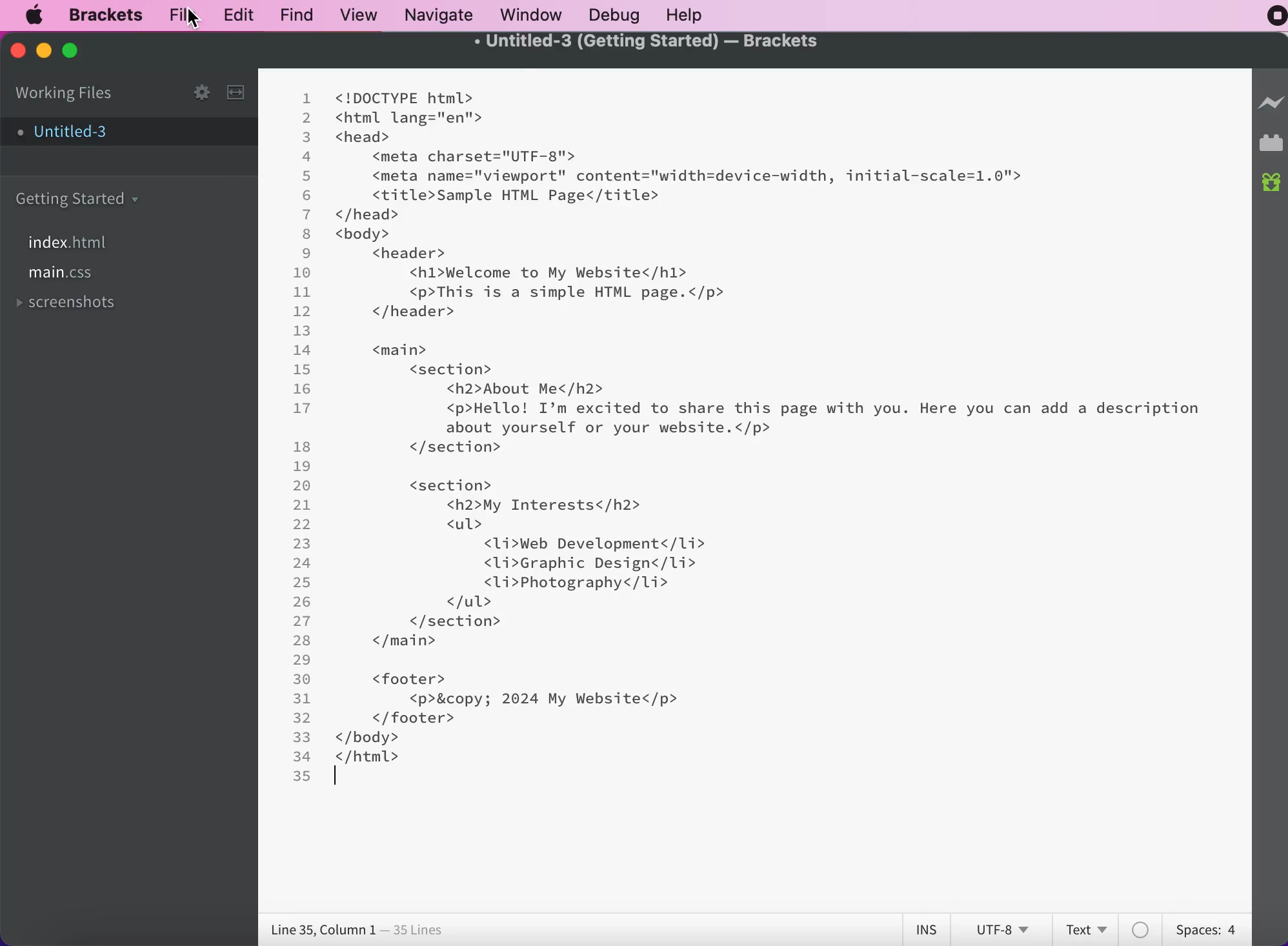 The width and height of the screenshot is (1288, 946). What do you see at coordinates (361, 14) in the screenshot?
I see `view` at bounding box center [361, 14].